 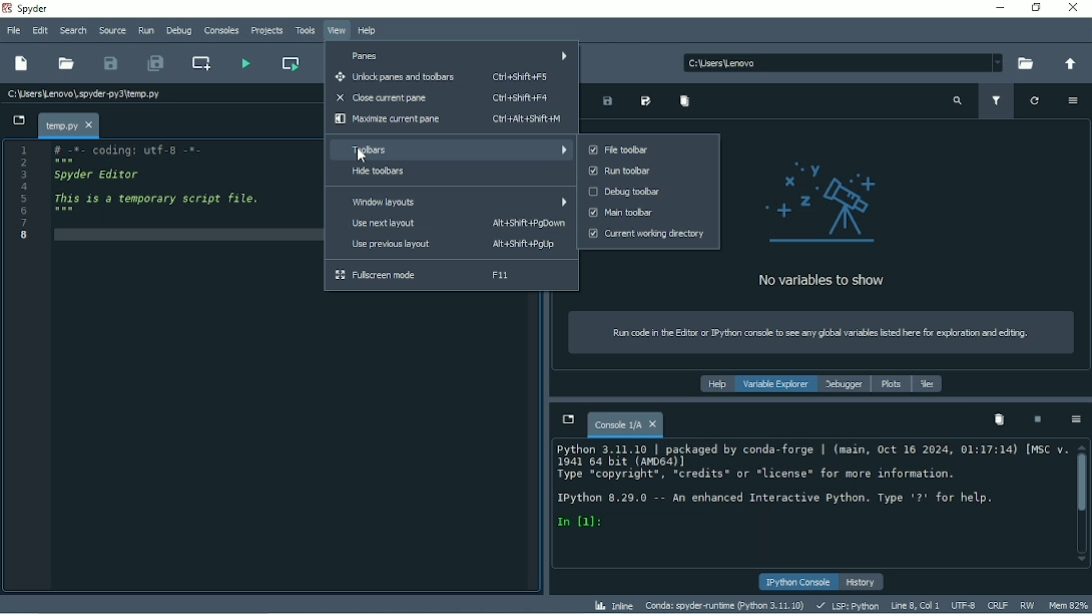 I want to click on Search, so click(x=74, y=30).